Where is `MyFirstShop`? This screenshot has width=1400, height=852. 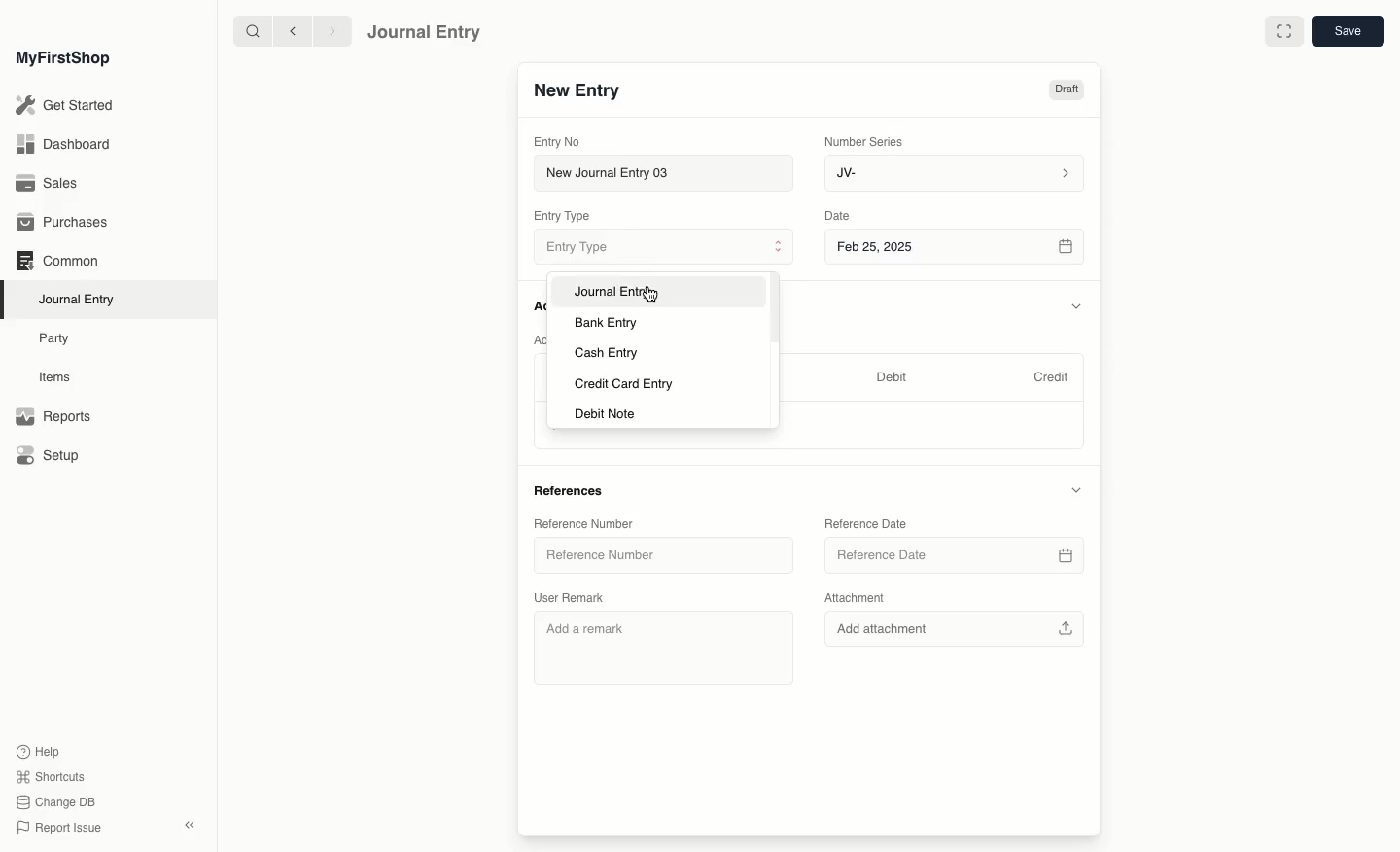
MyFirstShop is located at coordinates (61, 59).